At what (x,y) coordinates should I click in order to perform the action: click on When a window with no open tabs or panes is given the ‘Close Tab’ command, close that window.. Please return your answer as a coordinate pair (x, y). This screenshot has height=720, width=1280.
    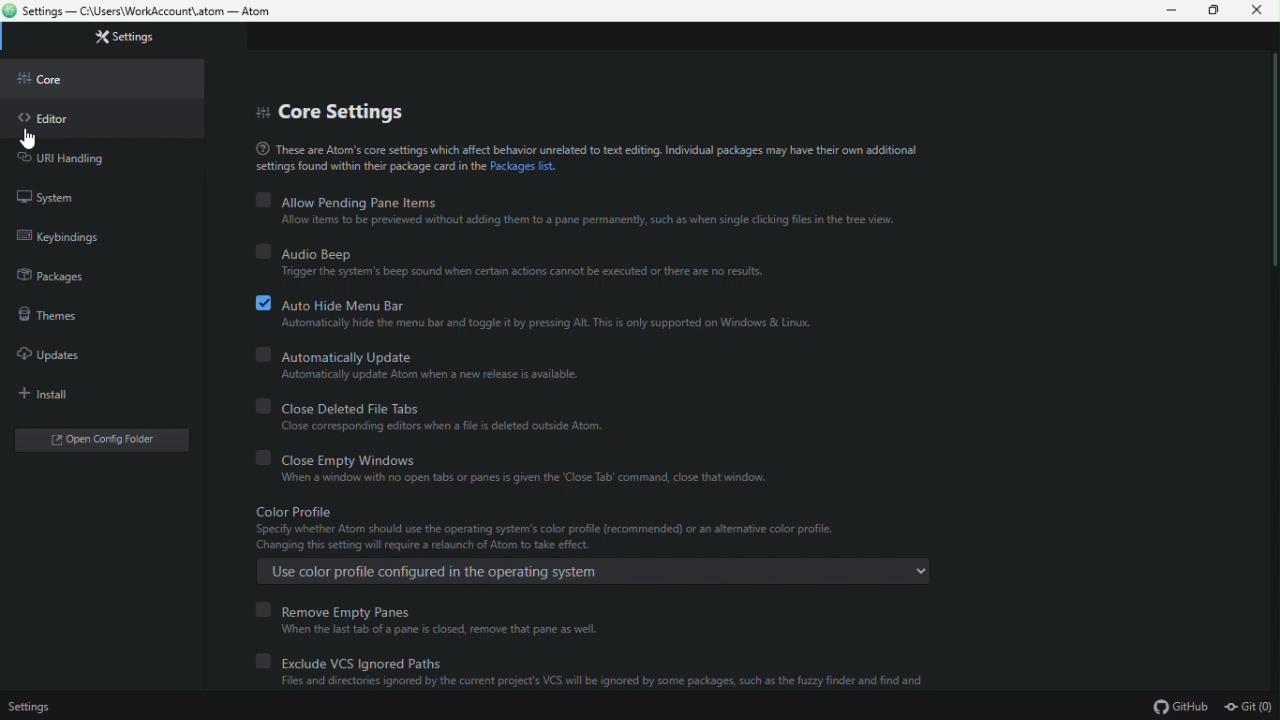
    Looking at the image, I should click on (526, 480).